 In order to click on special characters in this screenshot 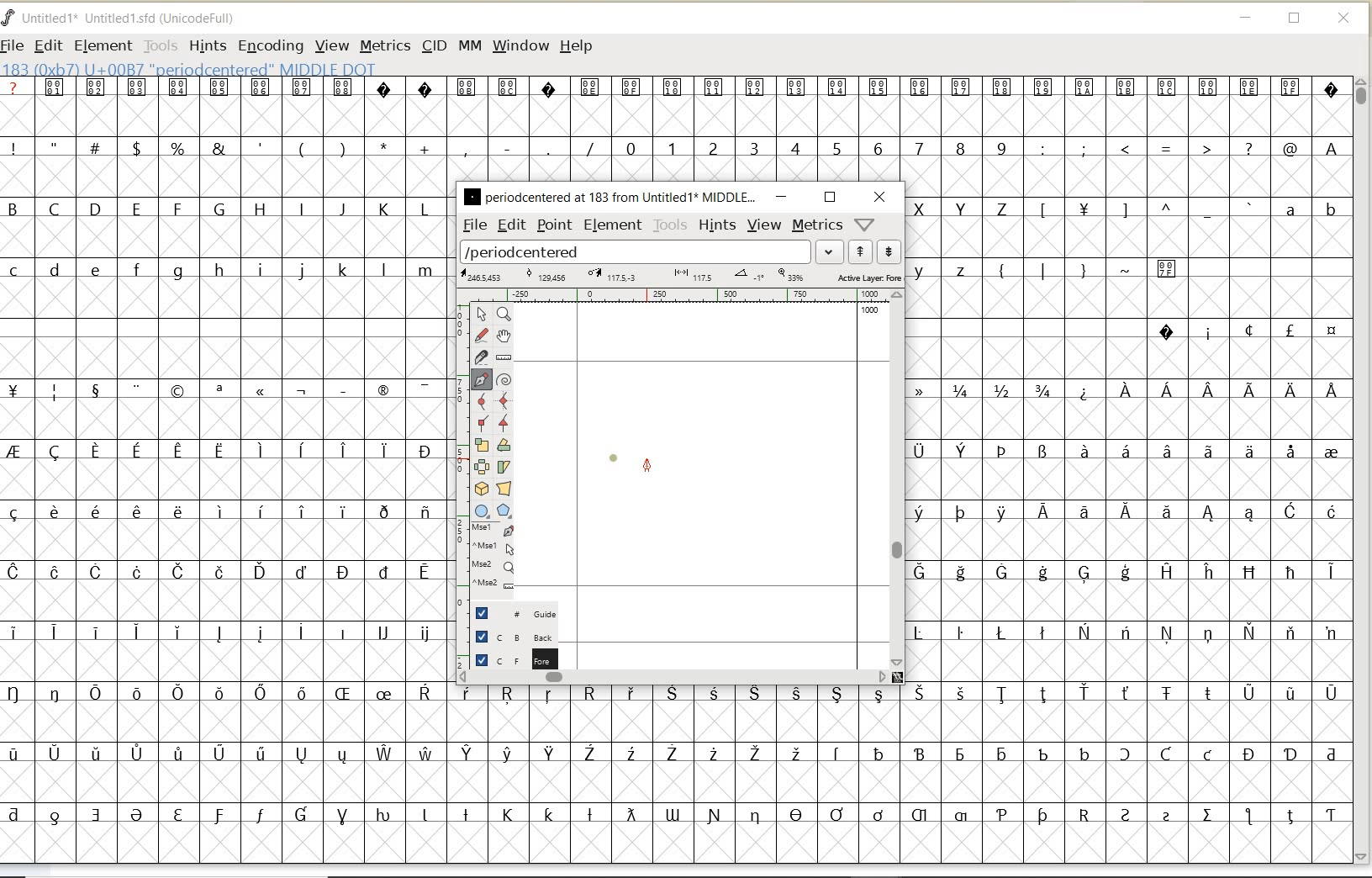, I will do `click(673, 98)`.